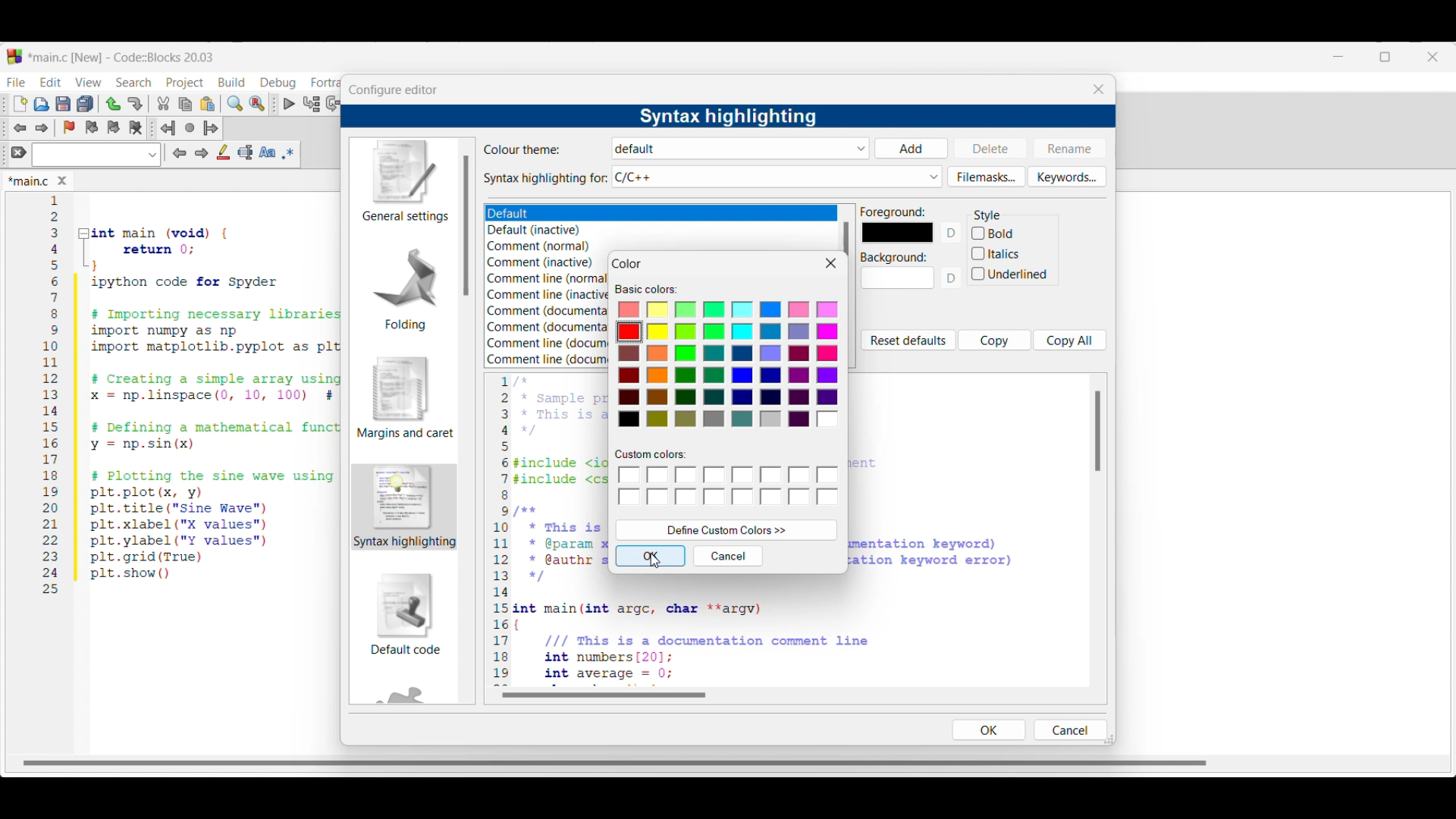  What do you see at coordinates (988, 730) in the screenshot?
I see `OK` at bounding box center [988, 730].